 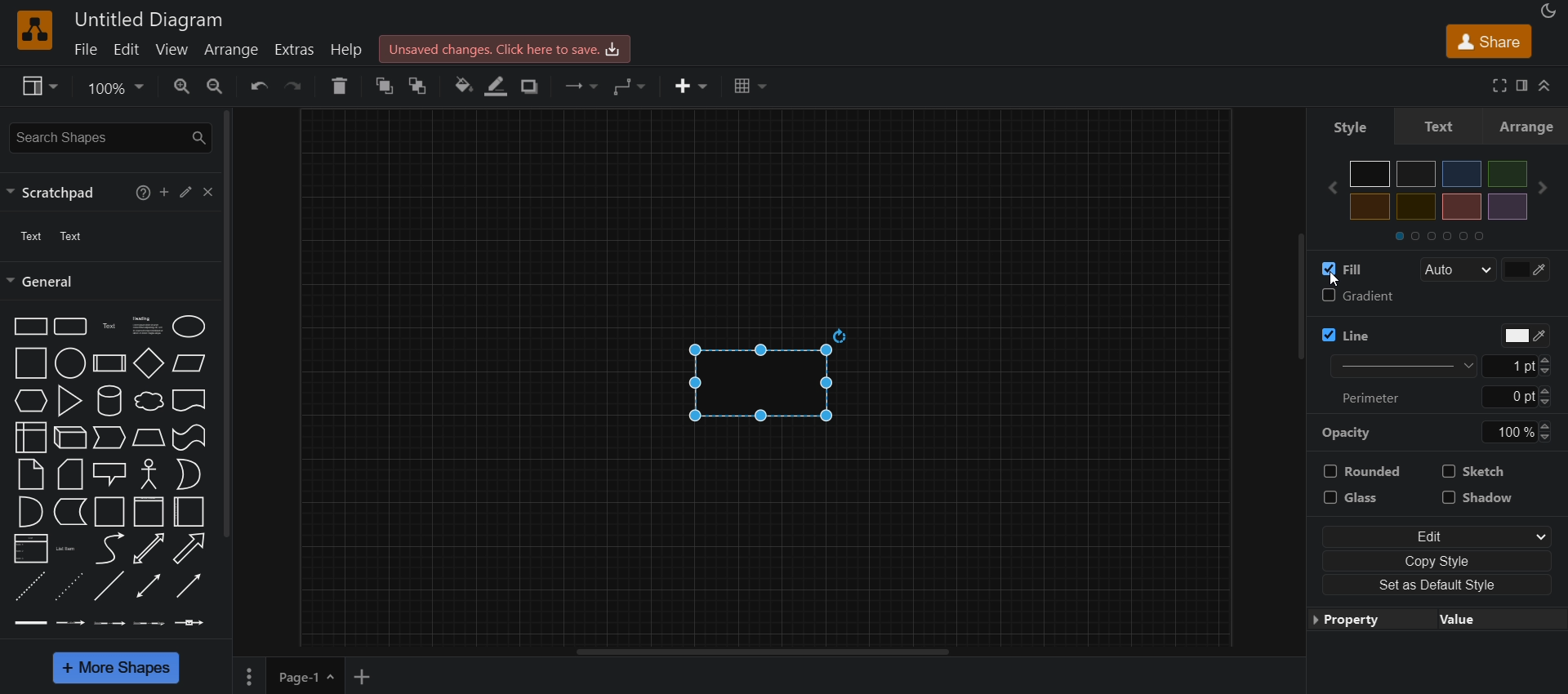 What do you see at coordinates (29, 511) in the screenshot?
I see `and` at bounding box center [29, 511].